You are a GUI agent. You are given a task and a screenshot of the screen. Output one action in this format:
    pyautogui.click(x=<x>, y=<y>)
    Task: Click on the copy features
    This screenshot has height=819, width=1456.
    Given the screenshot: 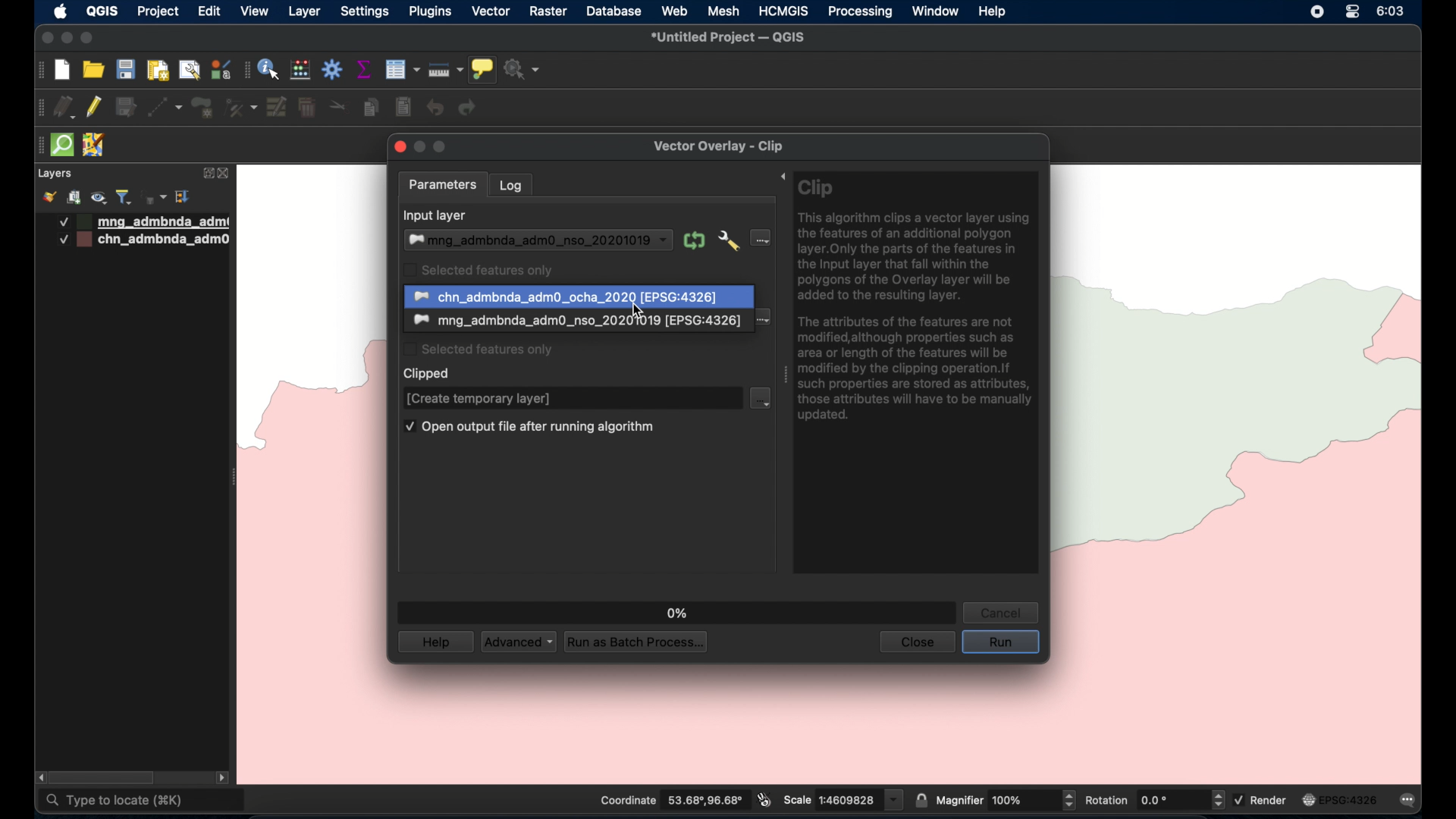 What is the action you would take?
    pyautogui.click(x=372, y=108)
    